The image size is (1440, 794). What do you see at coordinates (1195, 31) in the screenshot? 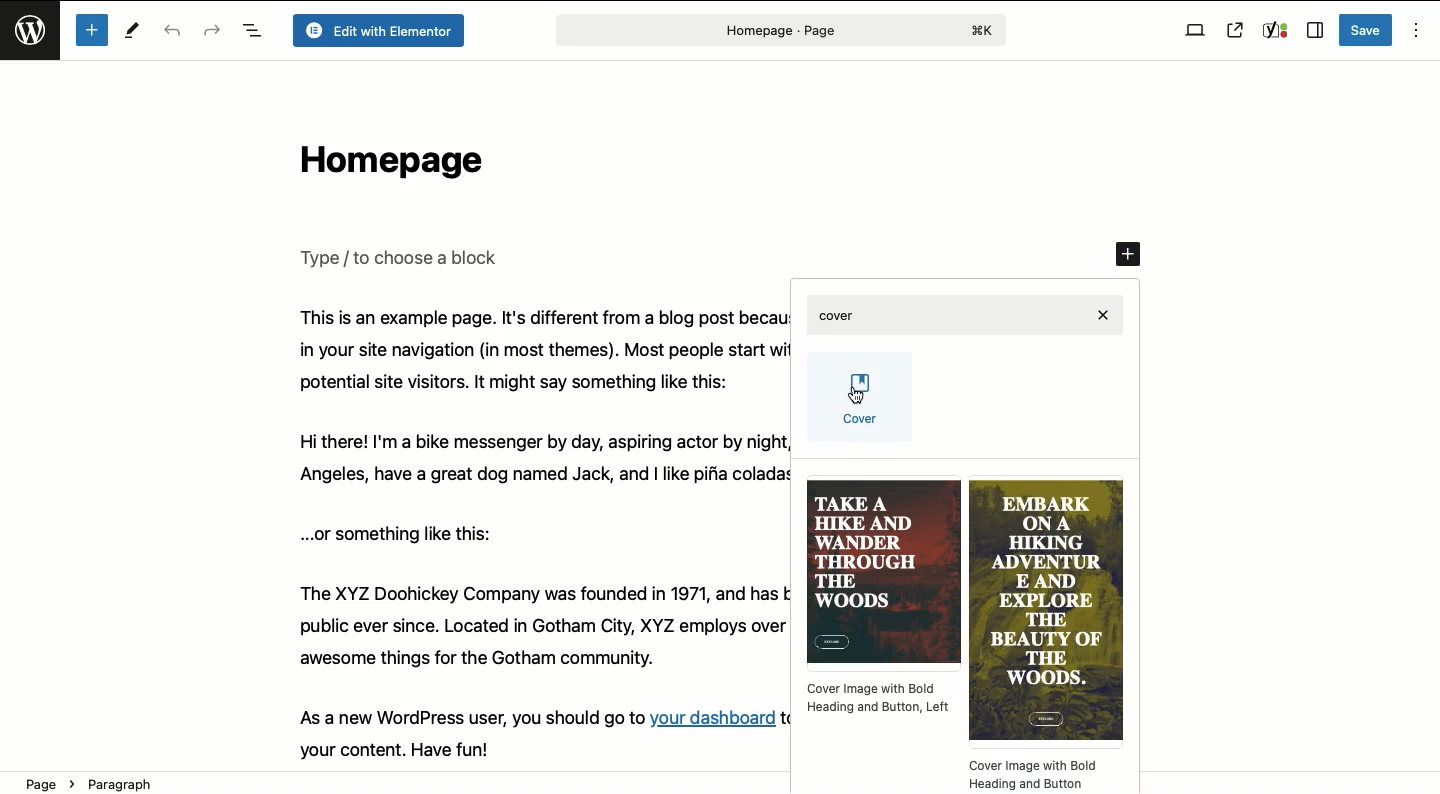
I see `View` at bounding box center [1195, 31].